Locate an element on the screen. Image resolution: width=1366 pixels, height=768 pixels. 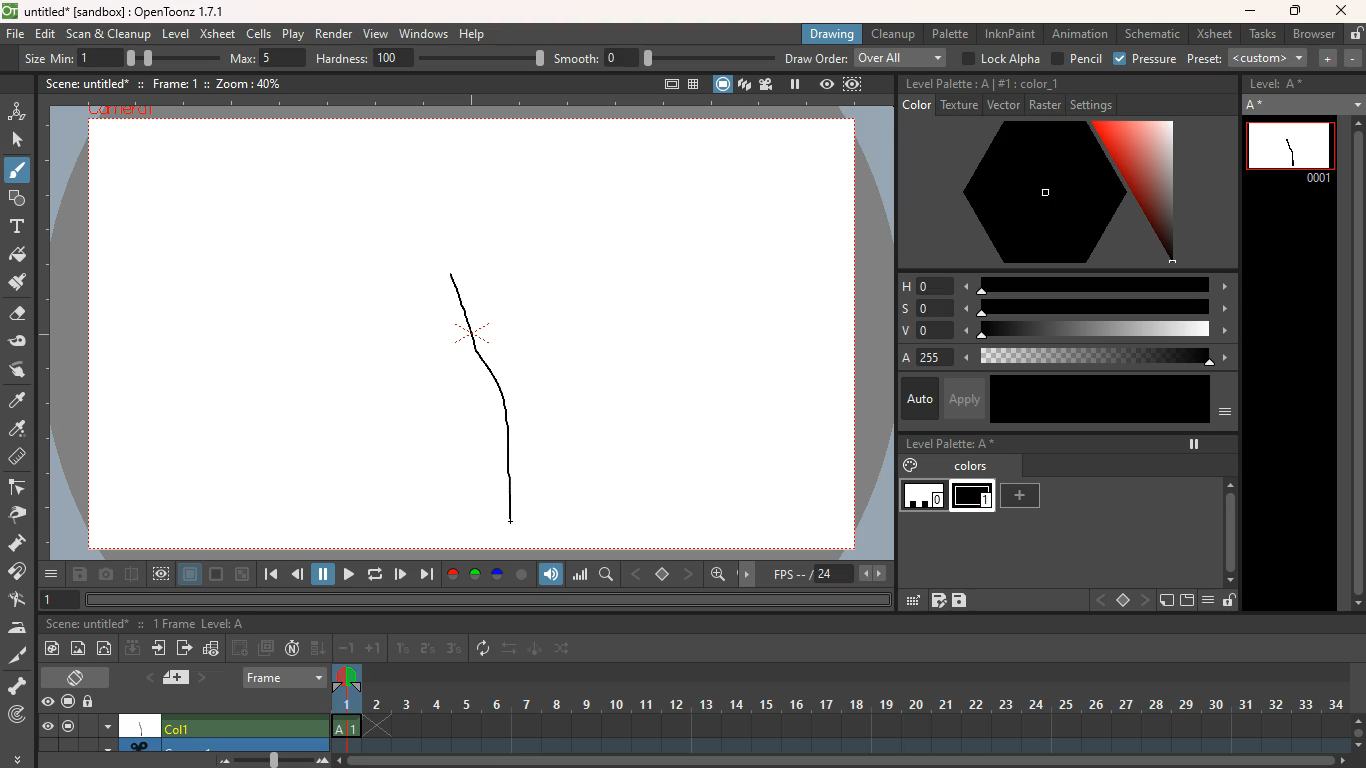
minus is located at coordinates (1353, 58).